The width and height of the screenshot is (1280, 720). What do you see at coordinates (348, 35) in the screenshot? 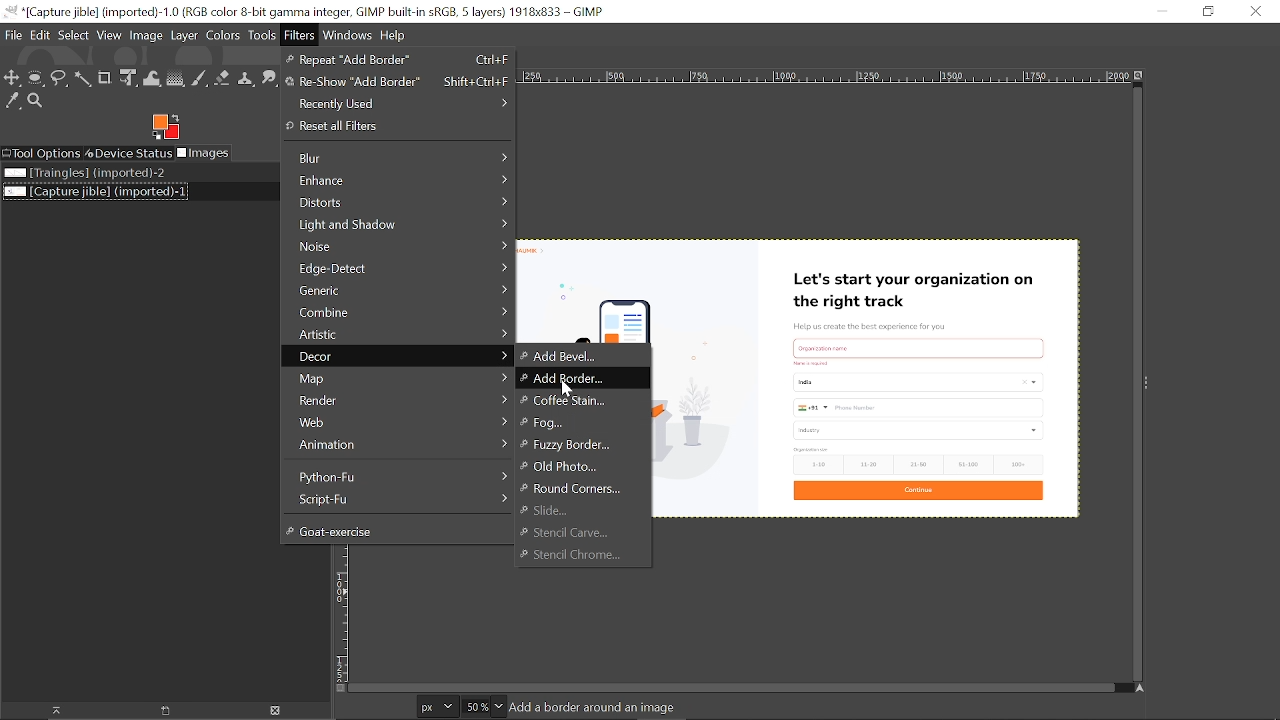
I see `Windows` at bounding box center [348, 35].